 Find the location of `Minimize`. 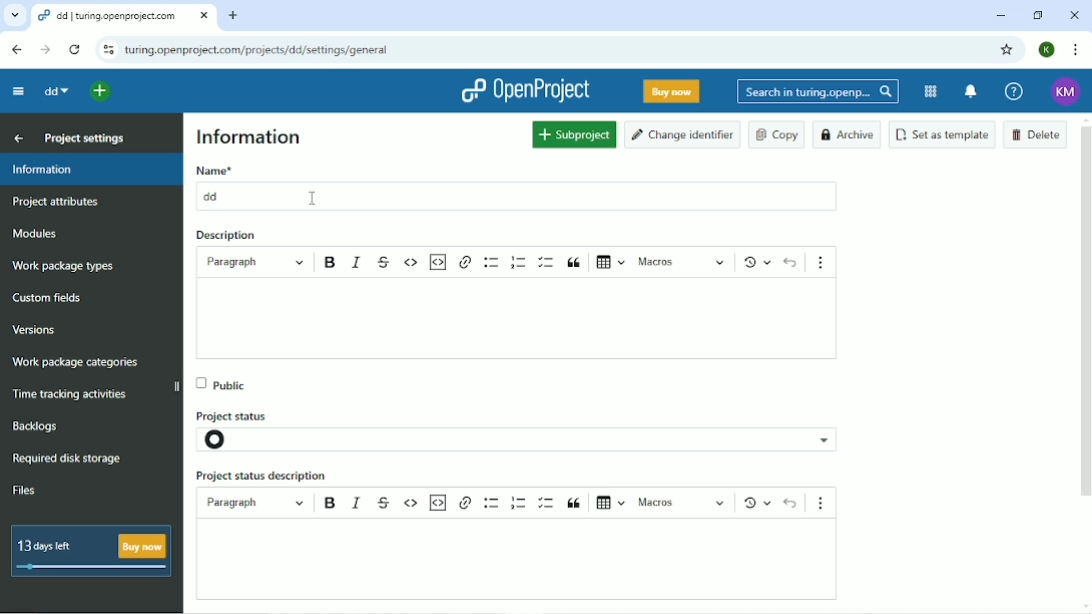

Minimize is located at coordinates (1001, 16).